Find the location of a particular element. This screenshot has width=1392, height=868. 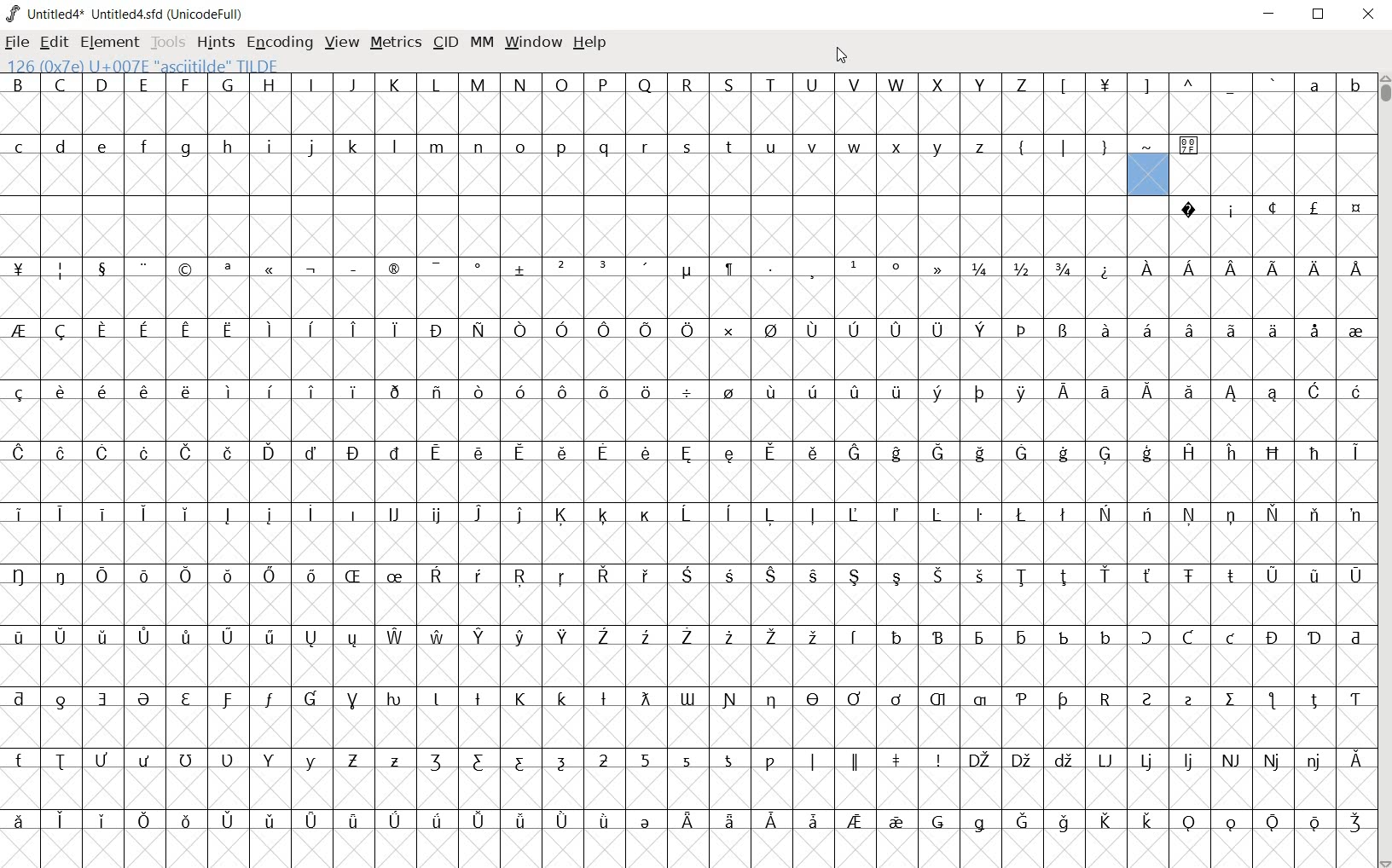

FILE is located at coordinates (18, 41).